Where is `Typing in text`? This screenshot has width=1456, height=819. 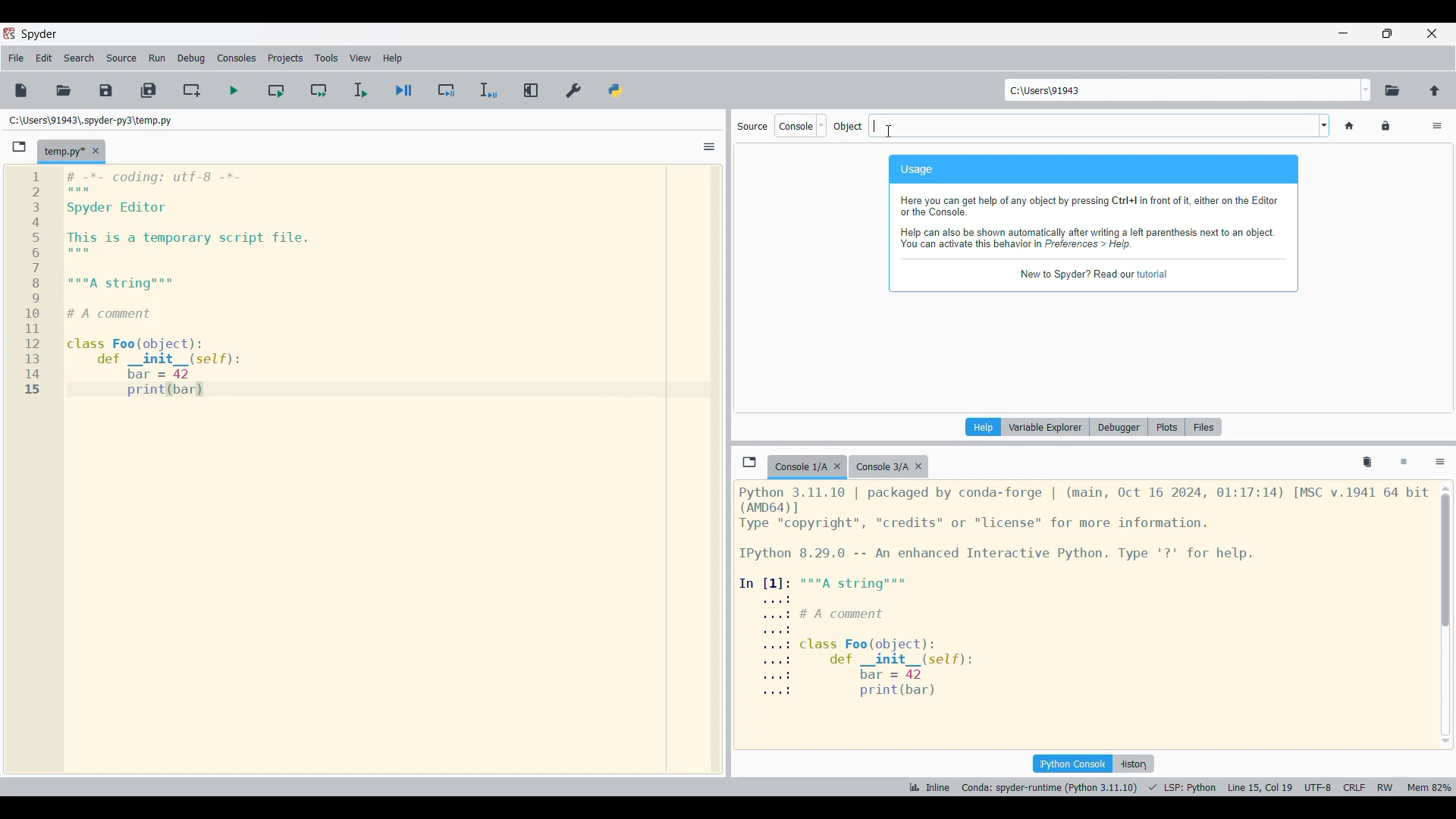 Typing in text is located at coordinates (874, 119).